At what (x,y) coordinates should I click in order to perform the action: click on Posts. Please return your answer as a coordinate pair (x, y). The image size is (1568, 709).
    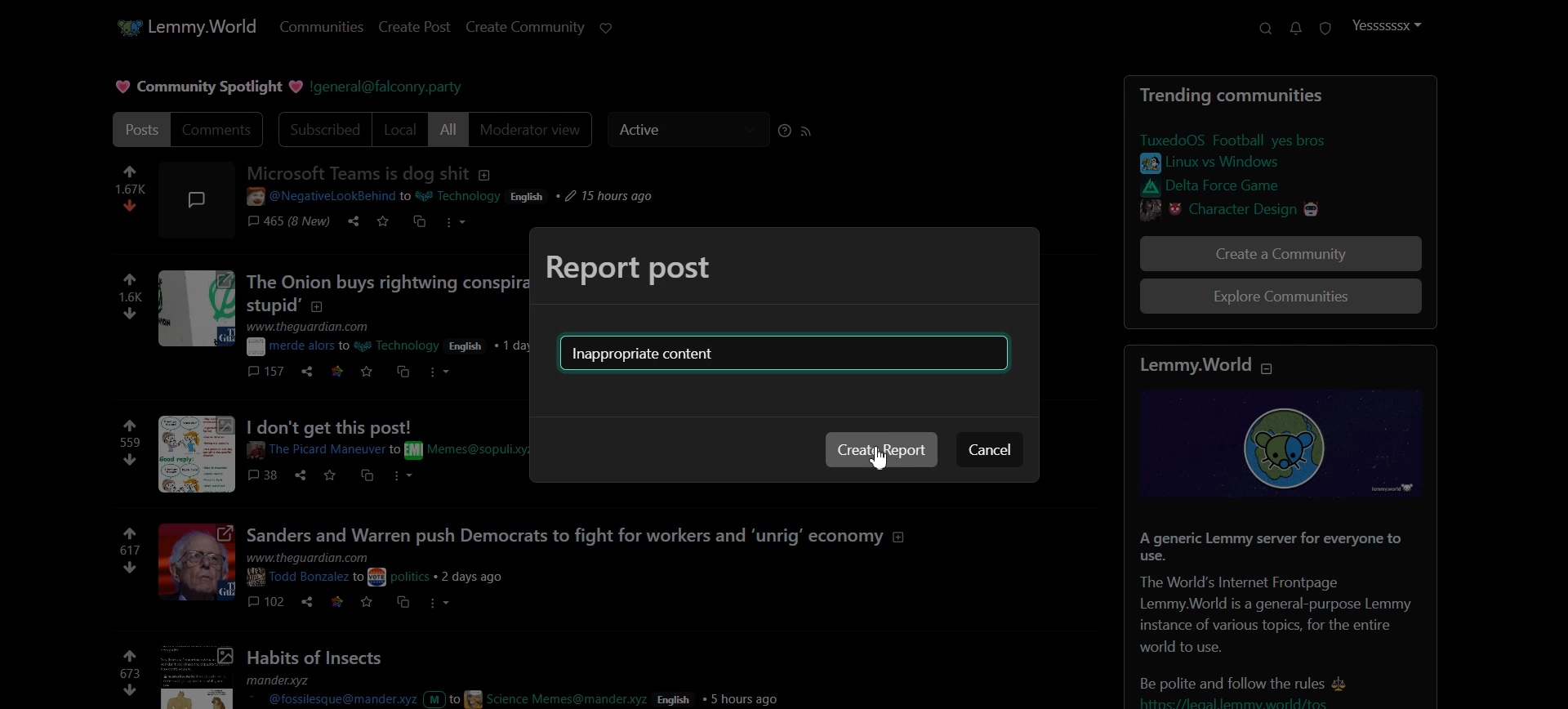
    Looking at the image, I should click on (140, 129).